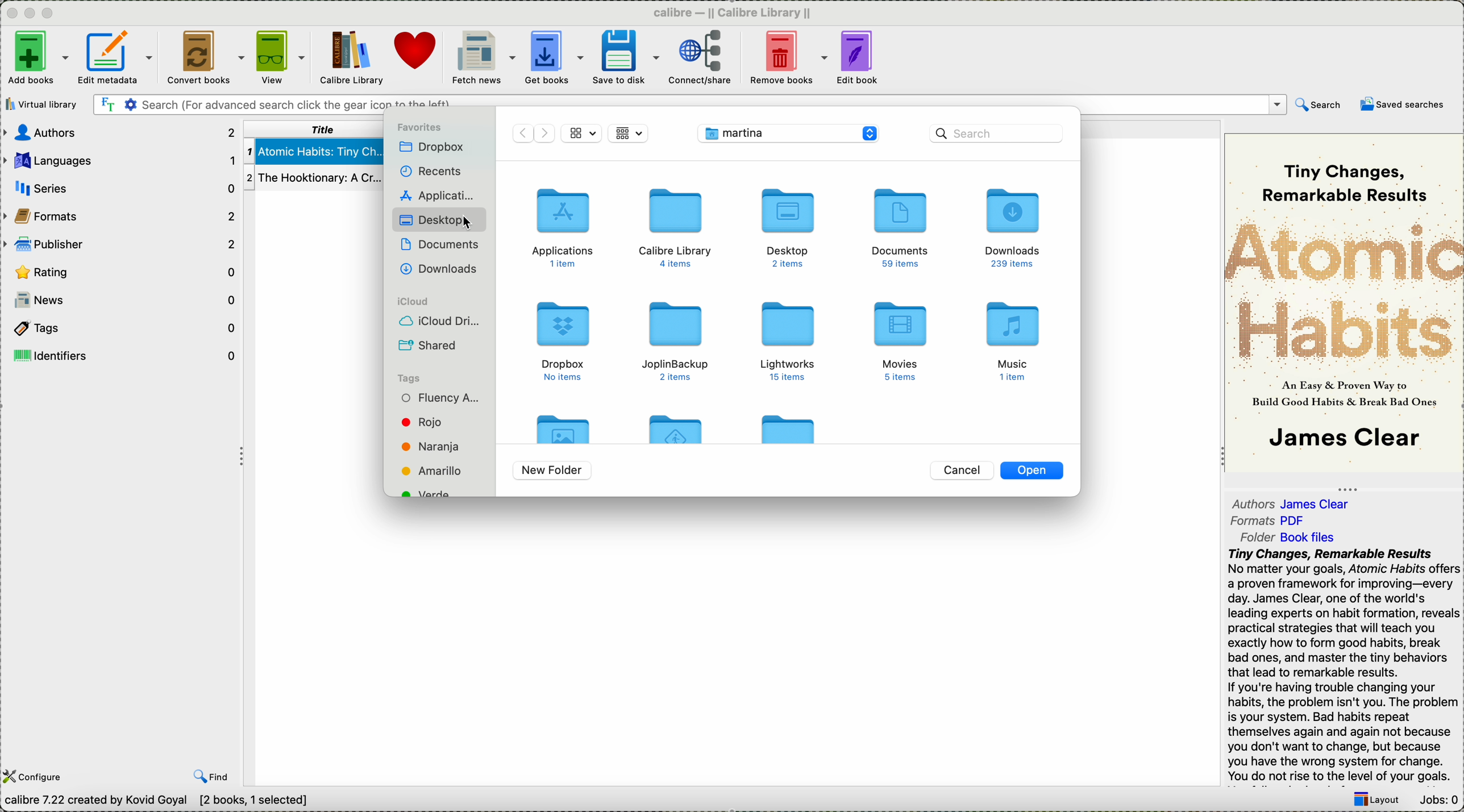  I want to click on Calibre library, so click(350, 56).